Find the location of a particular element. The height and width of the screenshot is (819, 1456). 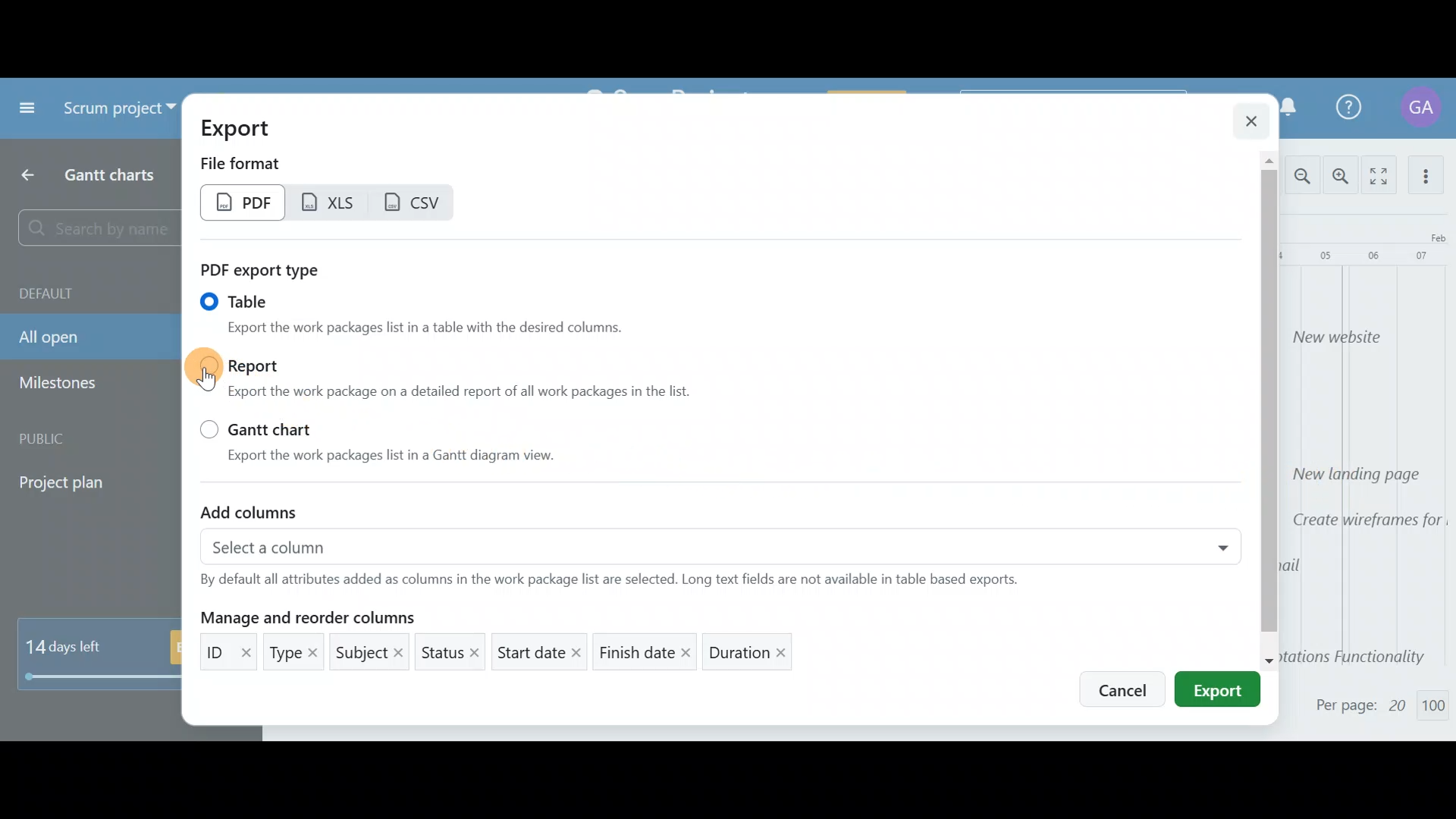

Gantt charts is located at coordinates (114, 173).